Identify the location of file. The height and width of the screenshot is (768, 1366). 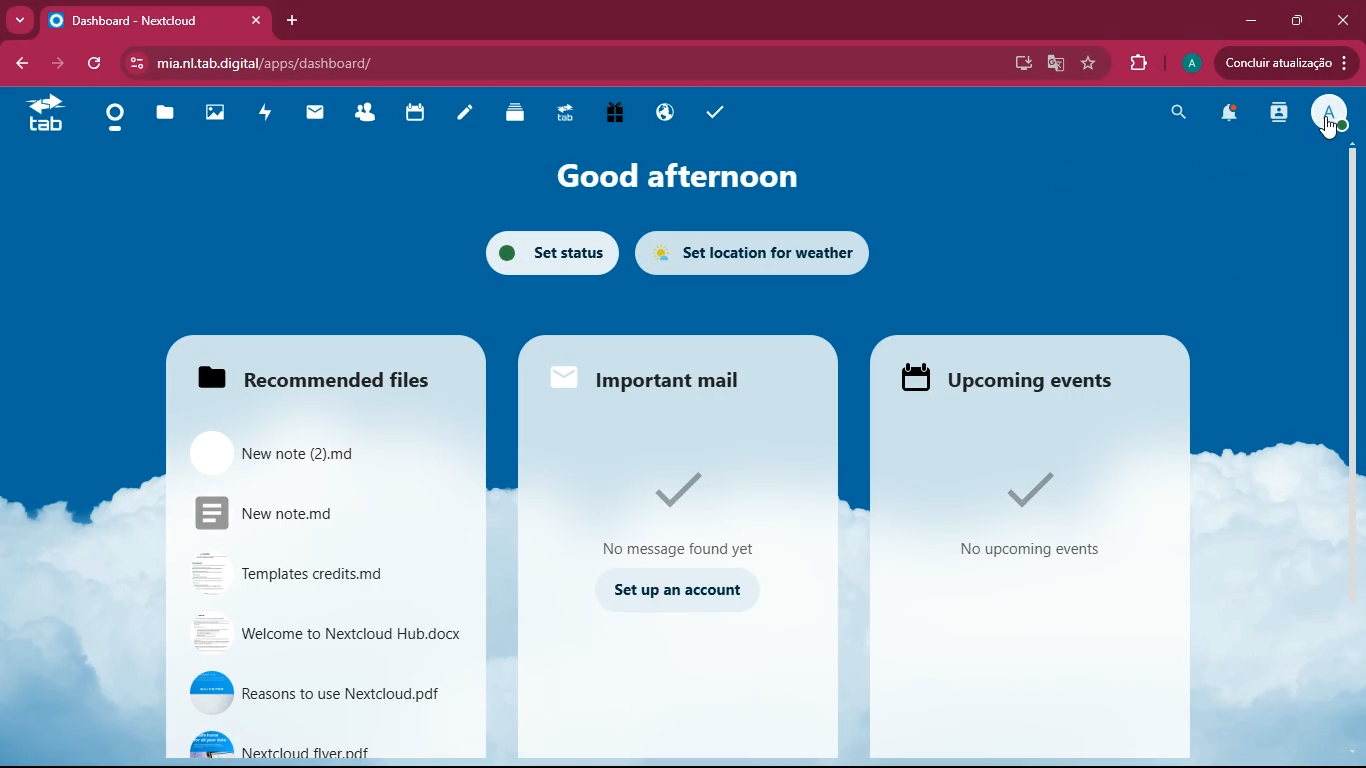
(324, 633).